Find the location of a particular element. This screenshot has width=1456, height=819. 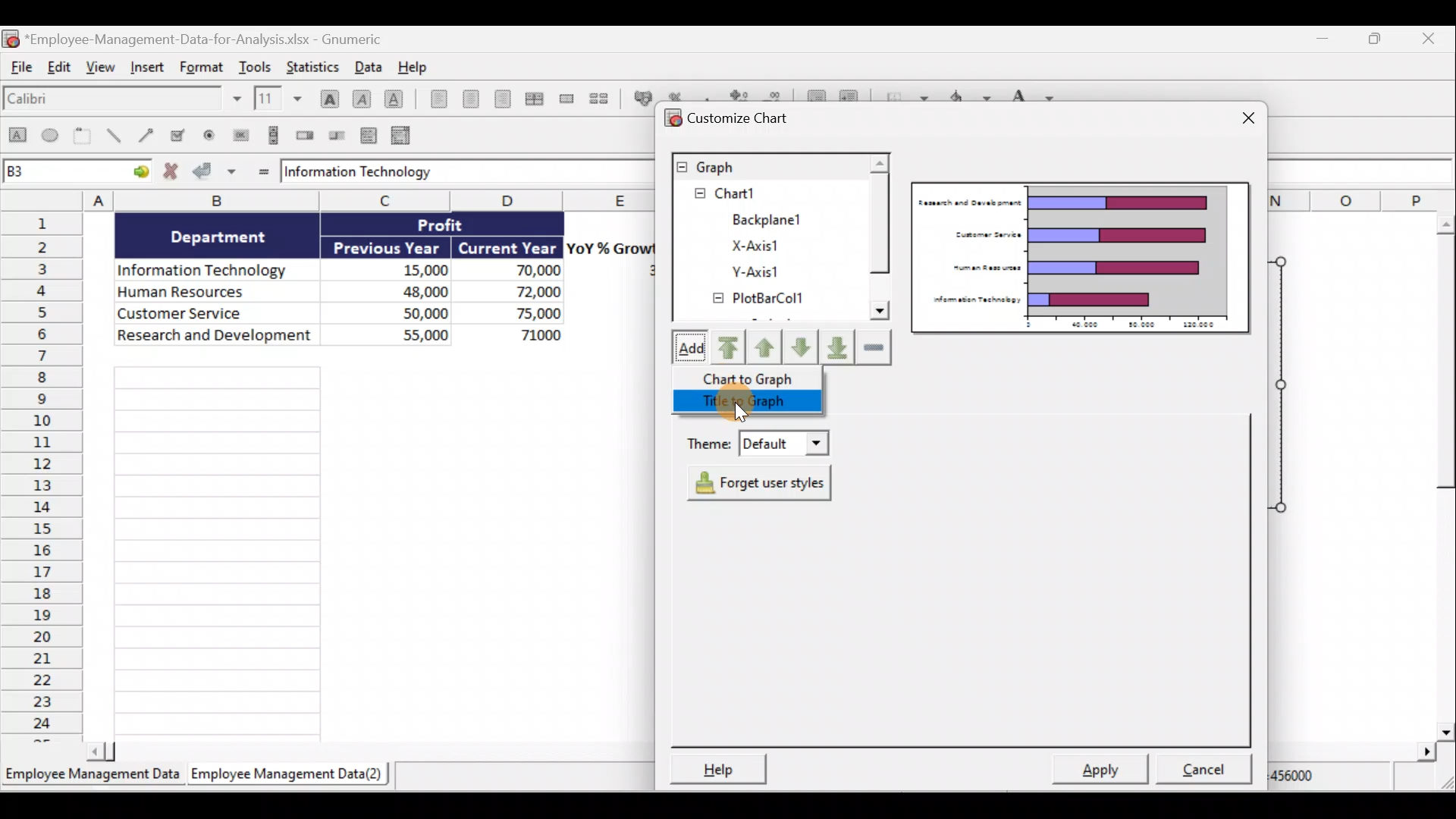

Align left is located at coordinates (438, 99).